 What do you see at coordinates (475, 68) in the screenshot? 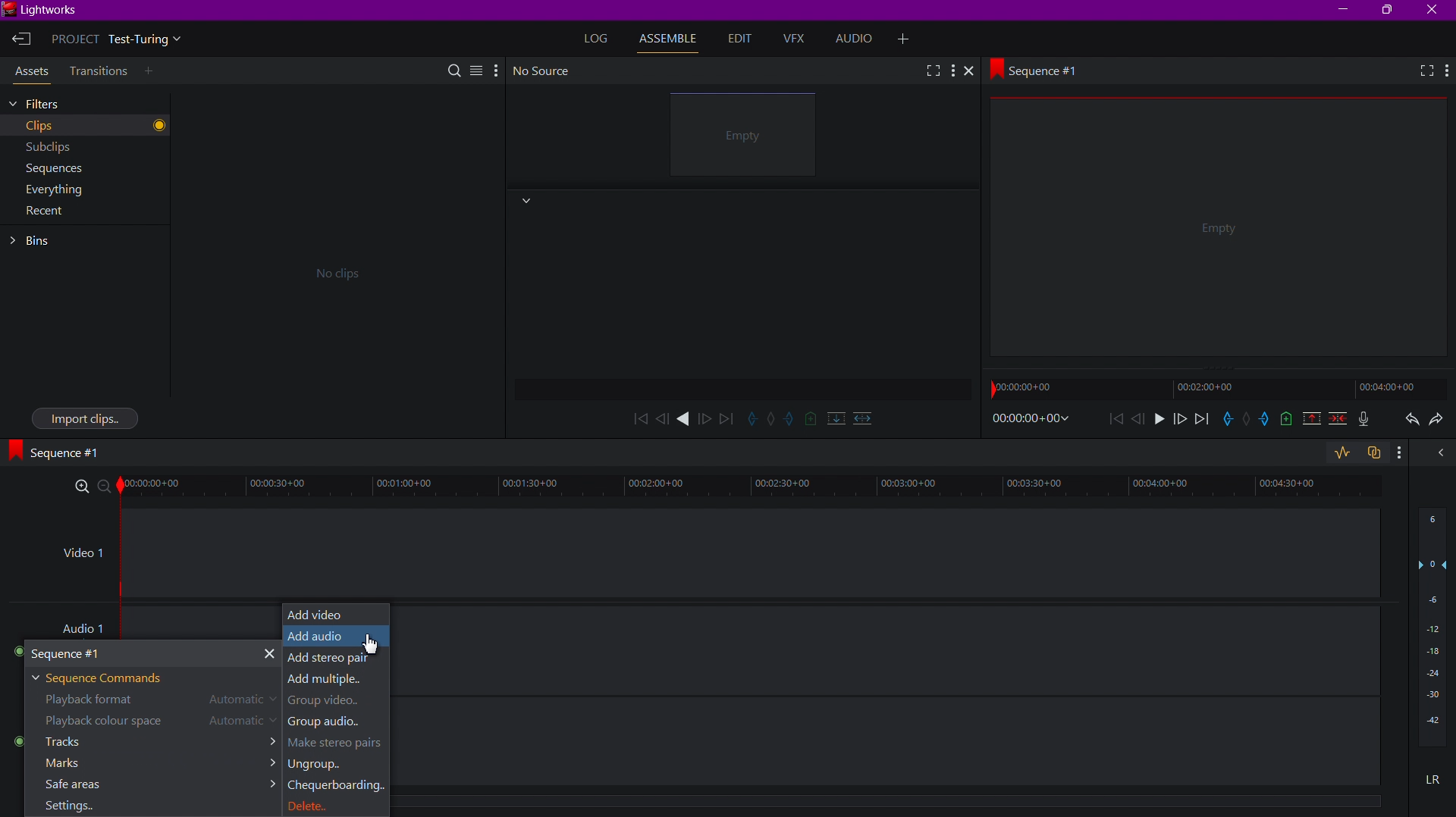
I see `List` at bounding box center [475, 68].